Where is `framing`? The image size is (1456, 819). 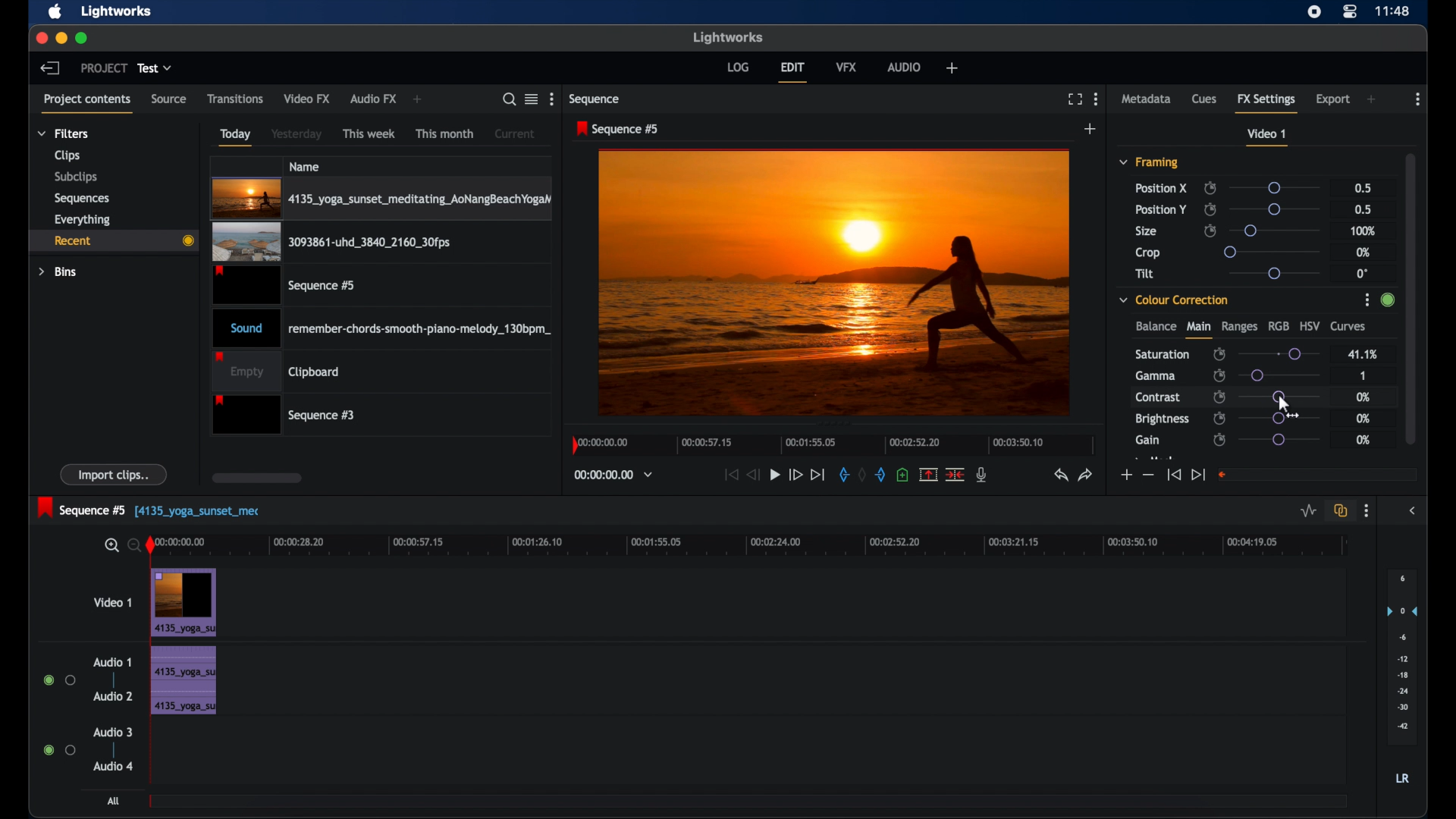
framing is located at coordinates (1150, 163).